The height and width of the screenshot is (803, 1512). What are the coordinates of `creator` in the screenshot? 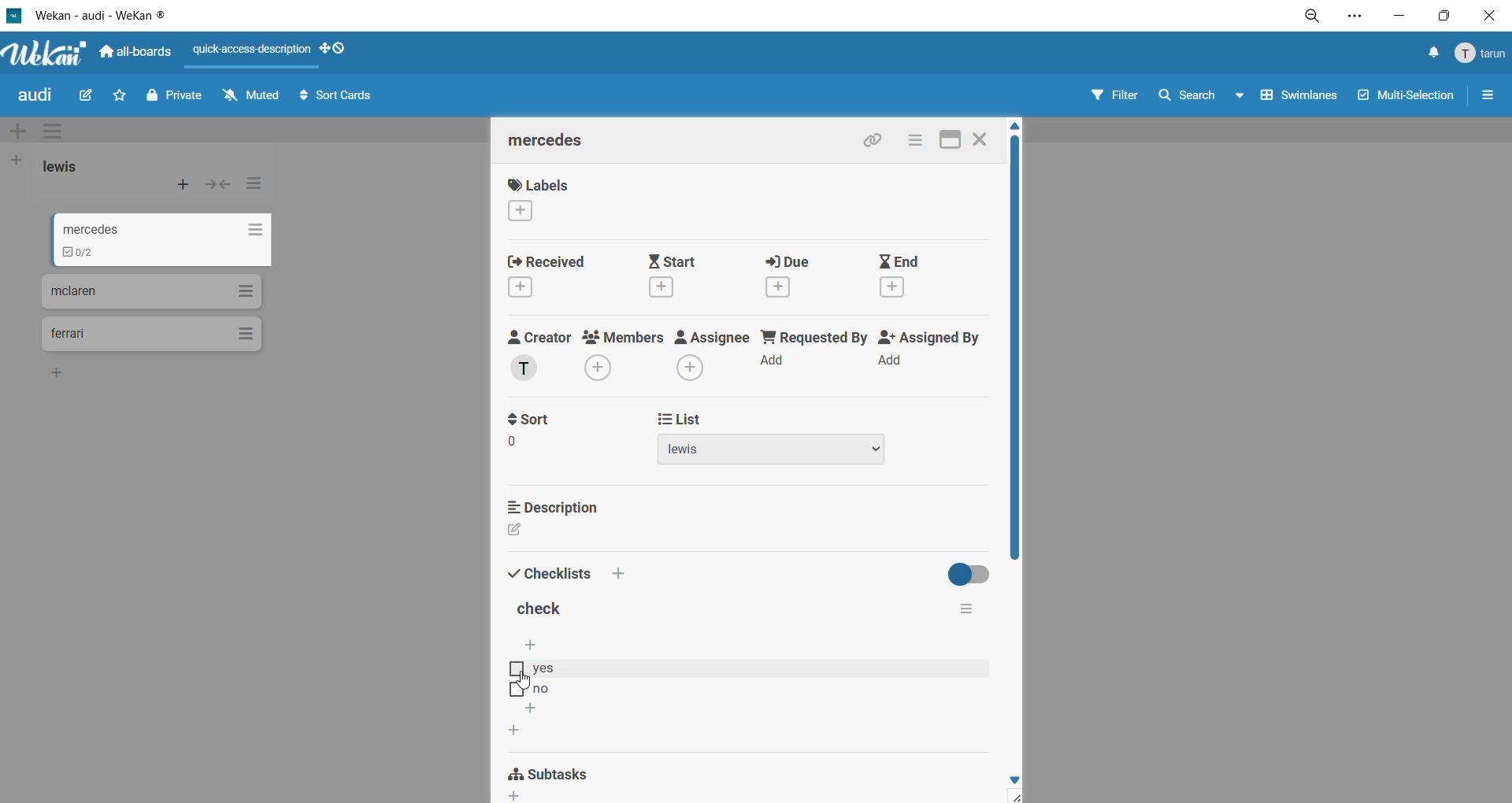 It's located at (541, 354).